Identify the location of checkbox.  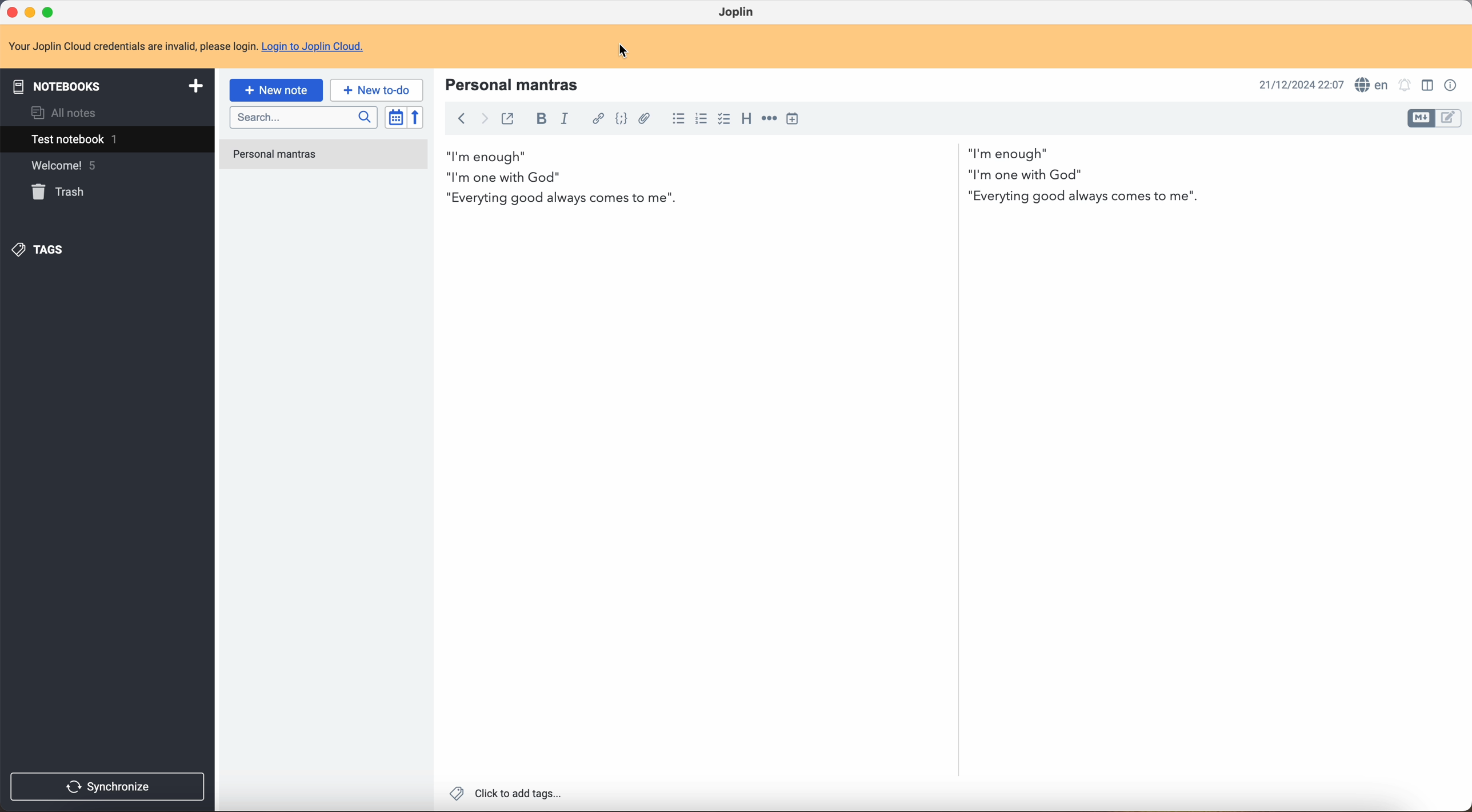
(725, 119).